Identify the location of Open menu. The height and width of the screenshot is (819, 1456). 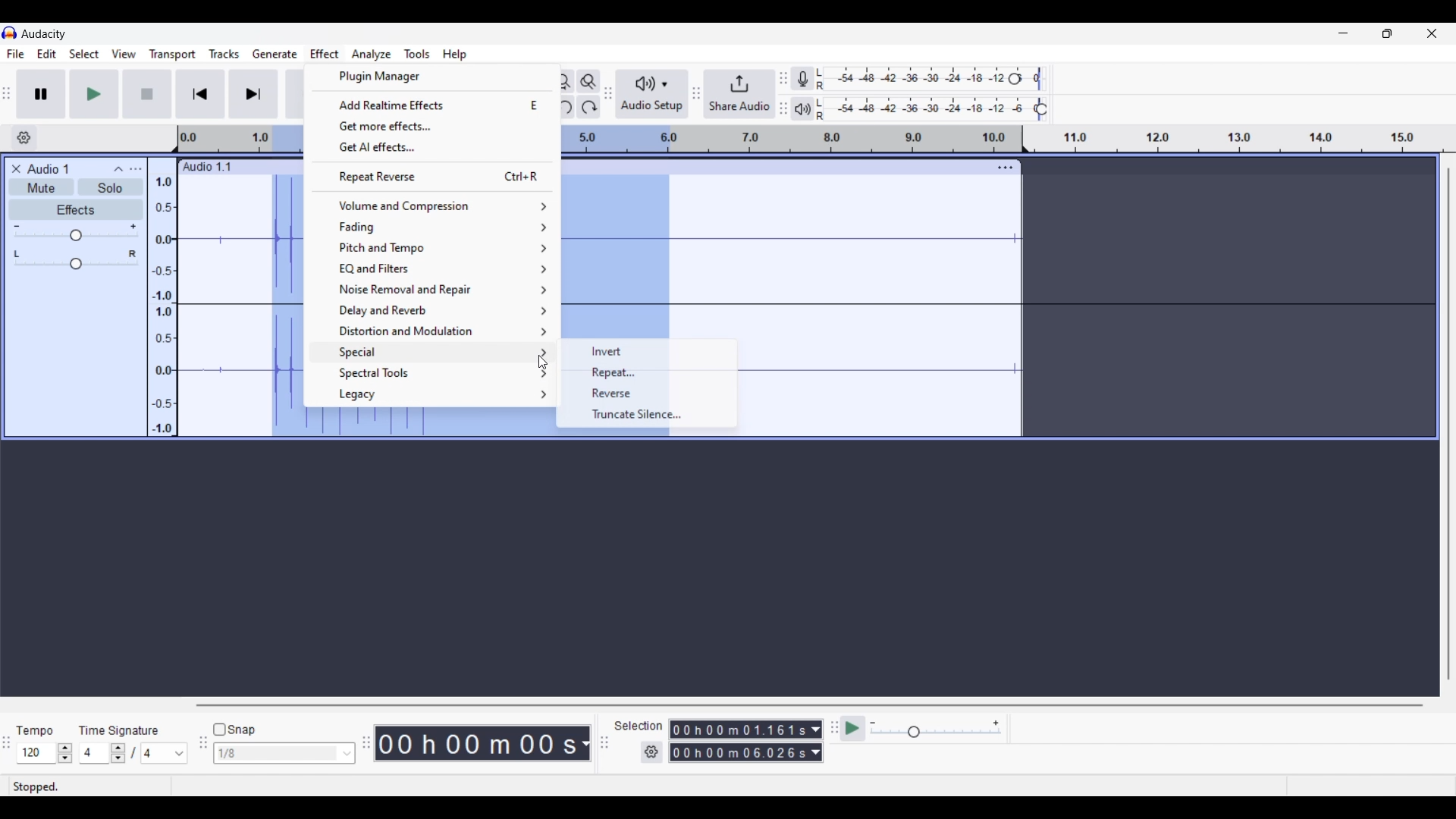
(135, 169).